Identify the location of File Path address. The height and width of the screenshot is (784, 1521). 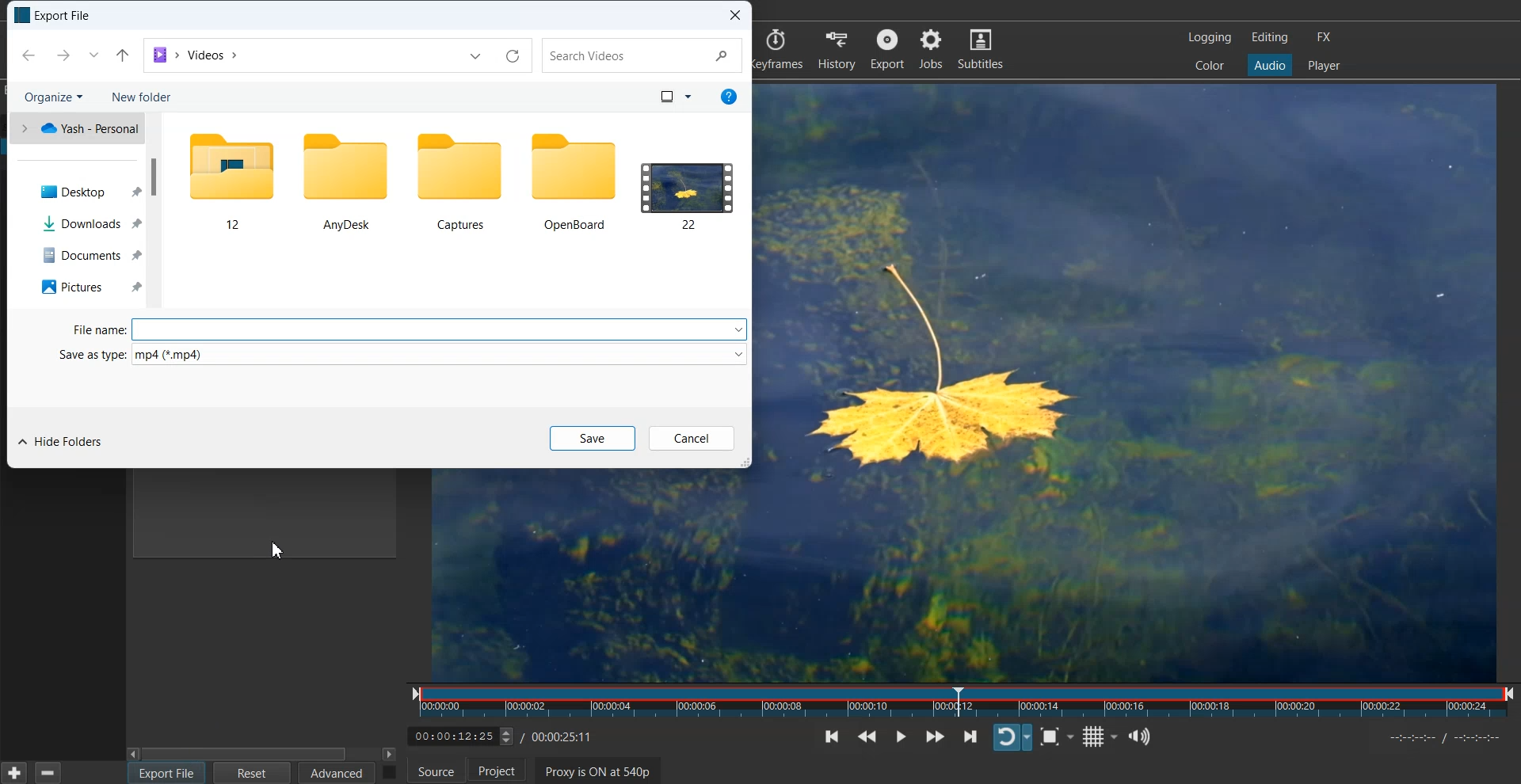
(196, 54).